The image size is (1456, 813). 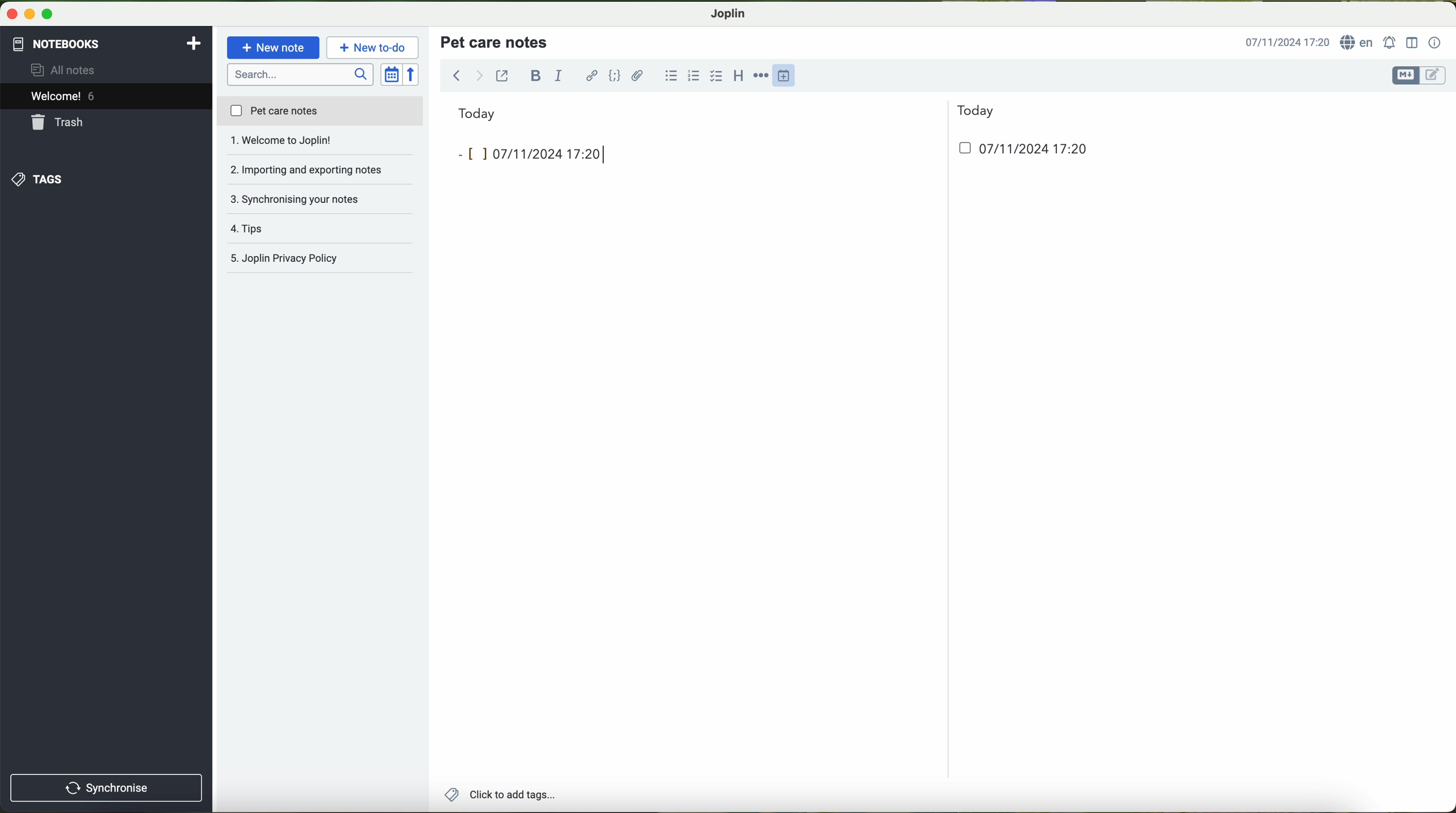 What do you see at coordinates (1412, 42) in the screenshot?
I see `toggle editor layout` at bounding box center [1412, 42].